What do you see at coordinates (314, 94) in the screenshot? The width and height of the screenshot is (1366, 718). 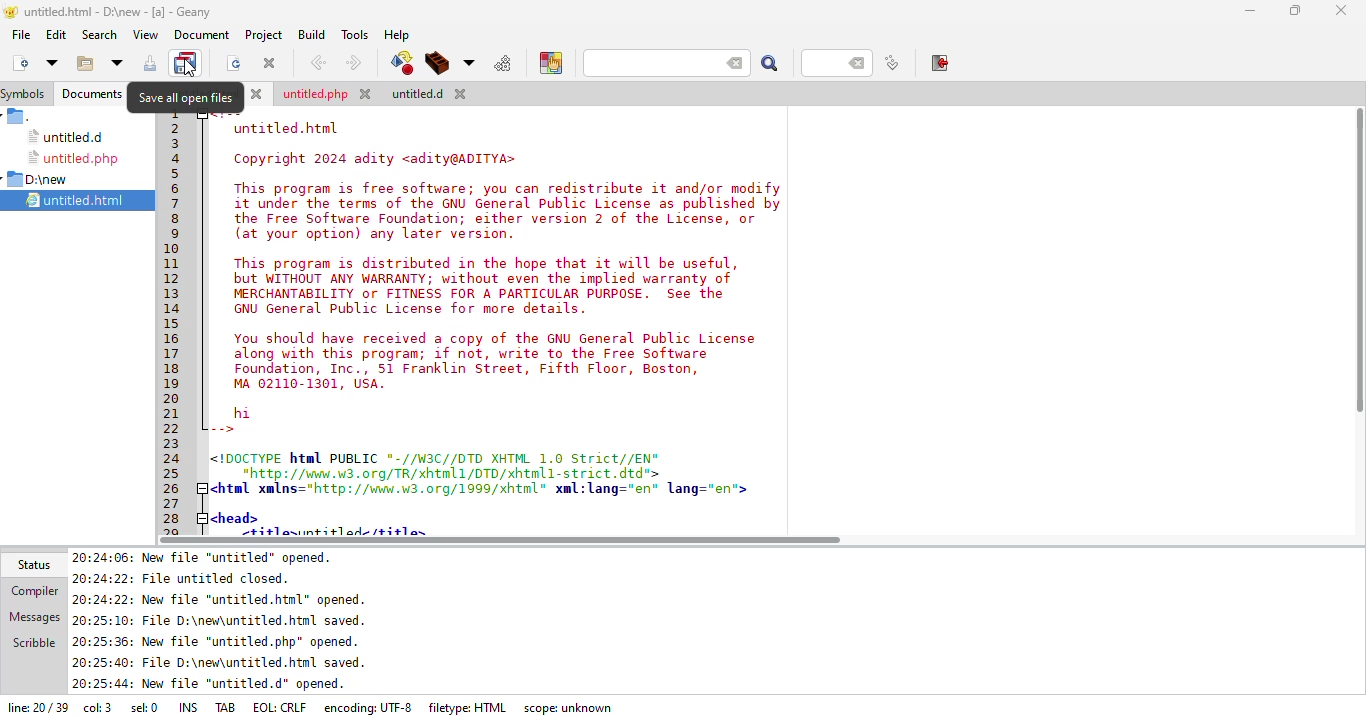 I see `untitled` at bounding box center [314, 94].